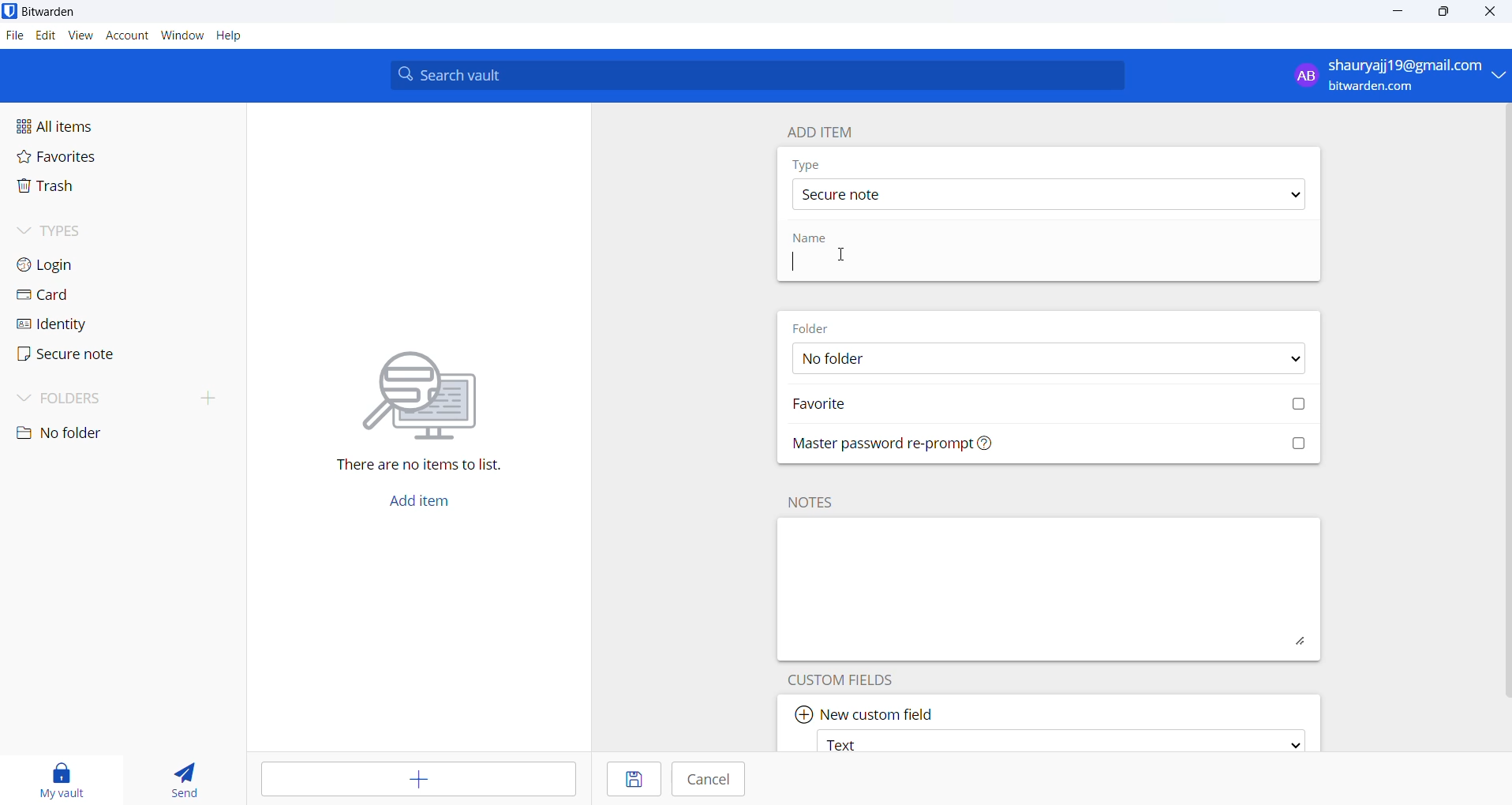 The image size is (1512, 805). I want to click on minimize, so click(1400, 12).